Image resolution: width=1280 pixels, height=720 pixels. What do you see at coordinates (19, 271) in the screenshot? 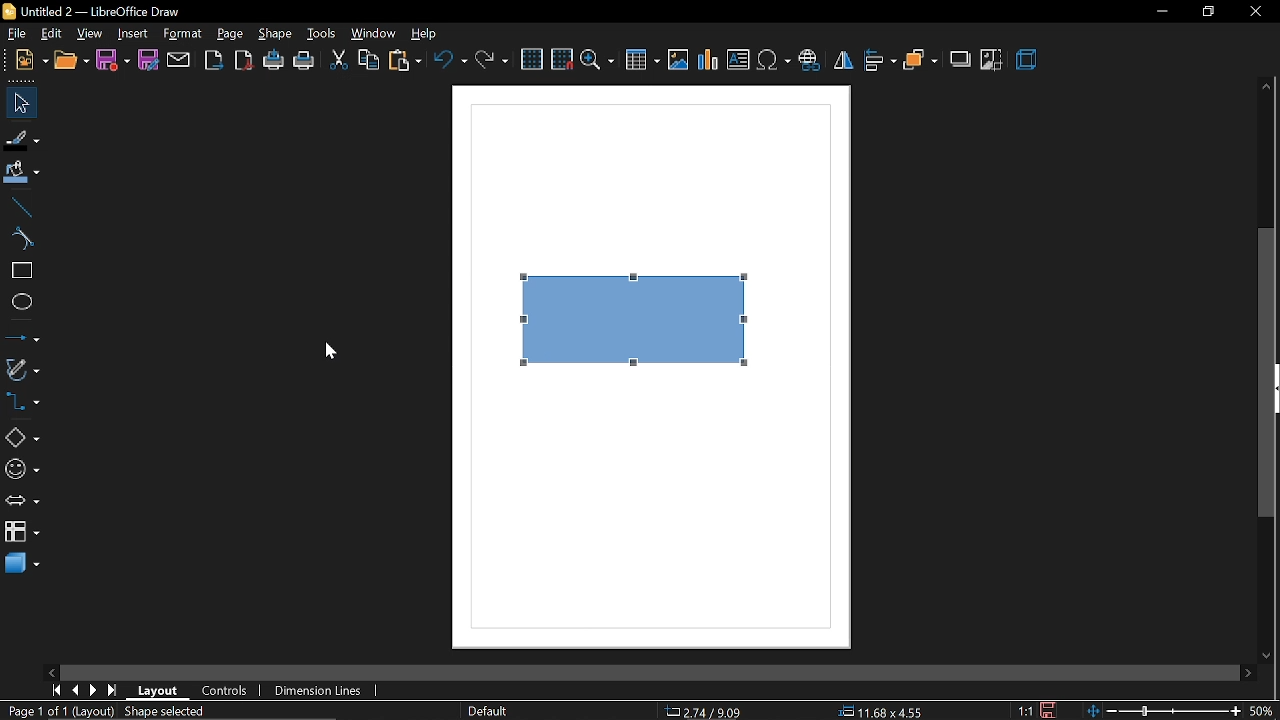
I see `rectagle` at bounding box center [19, 271].